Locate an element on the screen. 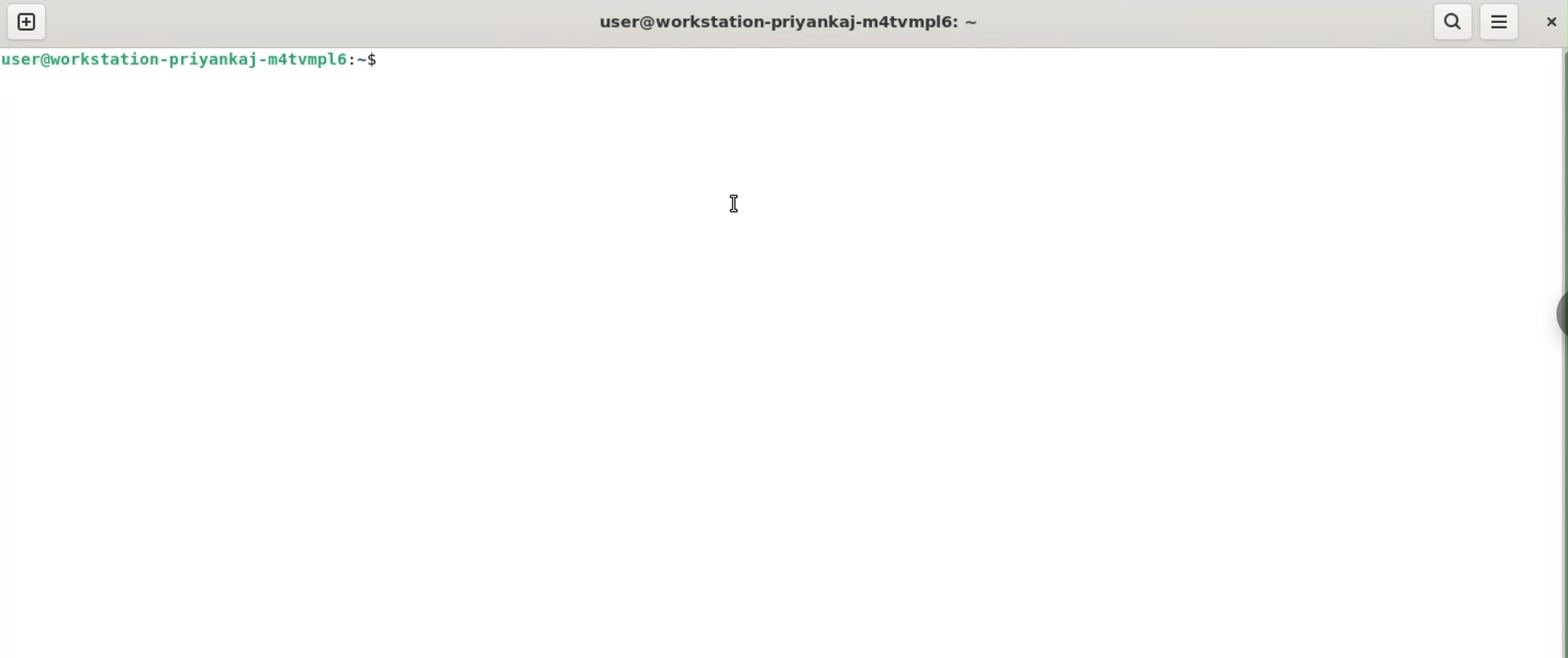  user@workstation-priyankaj-m4tvmpl6: ~$ is located at coordinates (190, 59).